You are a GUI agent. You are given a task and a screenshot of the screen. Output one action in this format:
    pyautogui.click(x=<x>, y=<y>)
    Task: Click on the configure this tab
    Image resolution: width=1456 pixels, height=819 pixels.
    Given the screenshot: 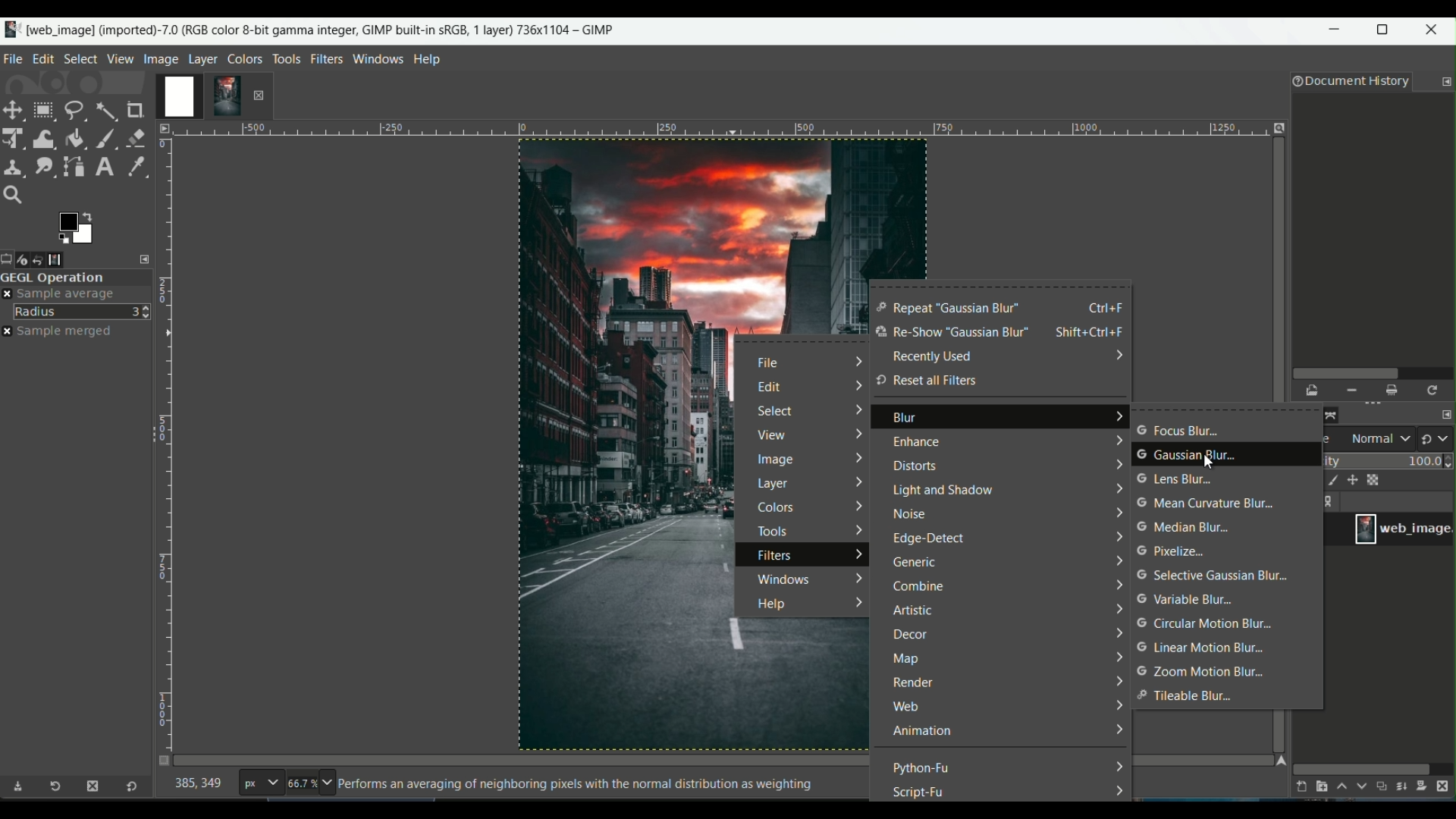 What is the action you would take?
    pyautogui.click(x=1446, y=82)
    